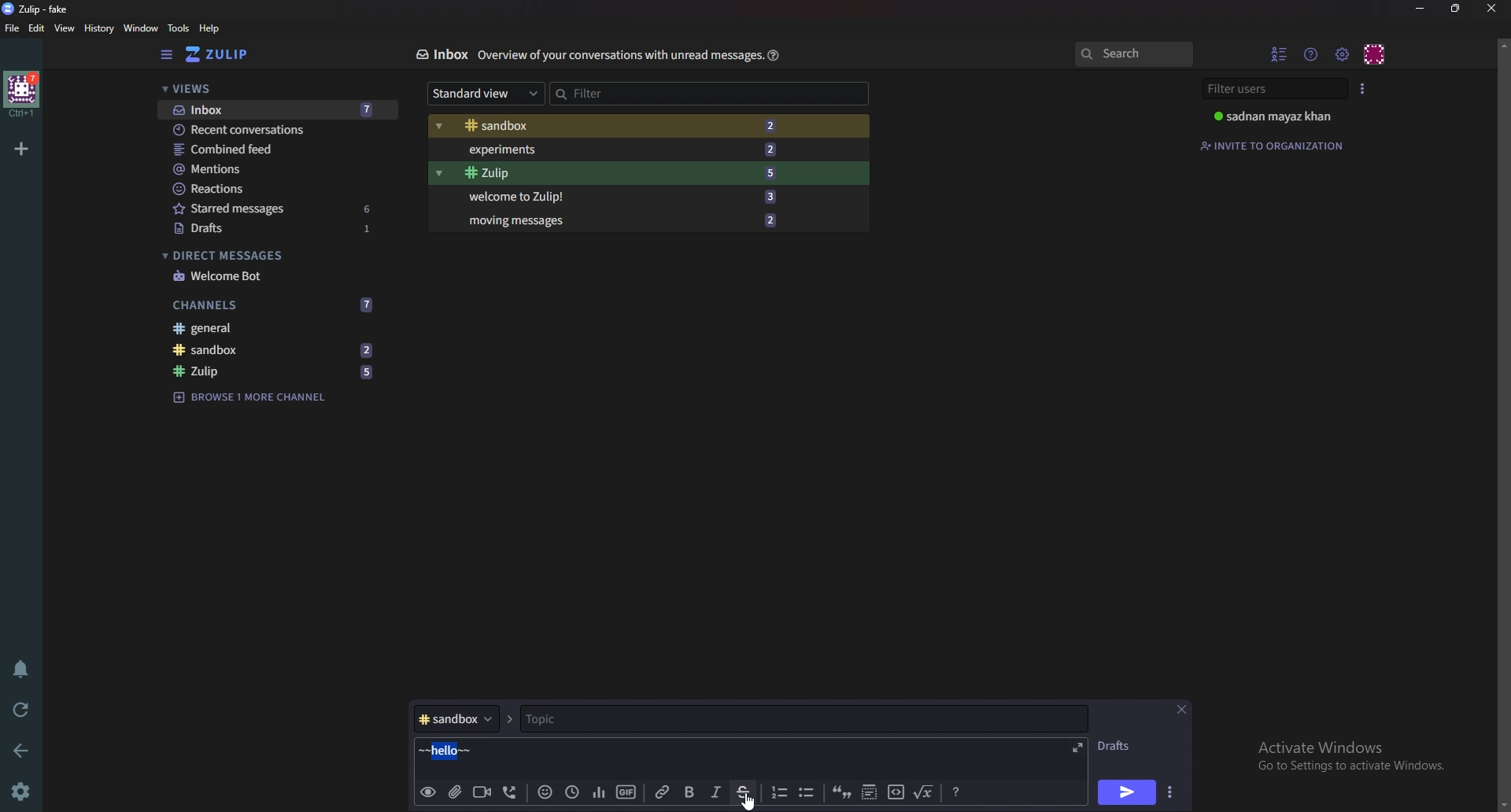 This screenshot has height=812, width=1511. I want to click on help, so click(772, 54).